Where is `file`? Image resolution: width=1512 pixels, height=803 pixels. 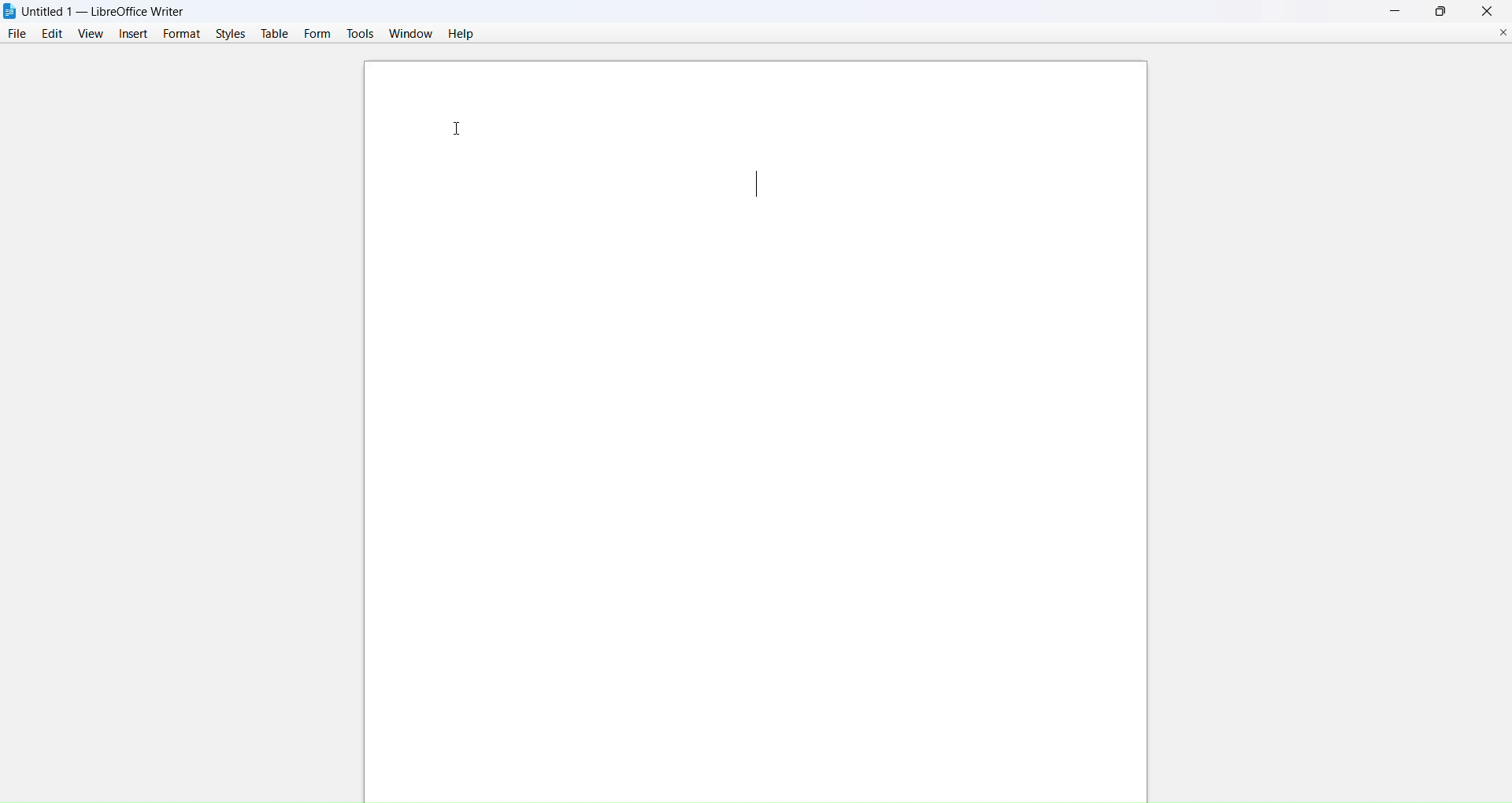 file is located at coordinates (16, 34).